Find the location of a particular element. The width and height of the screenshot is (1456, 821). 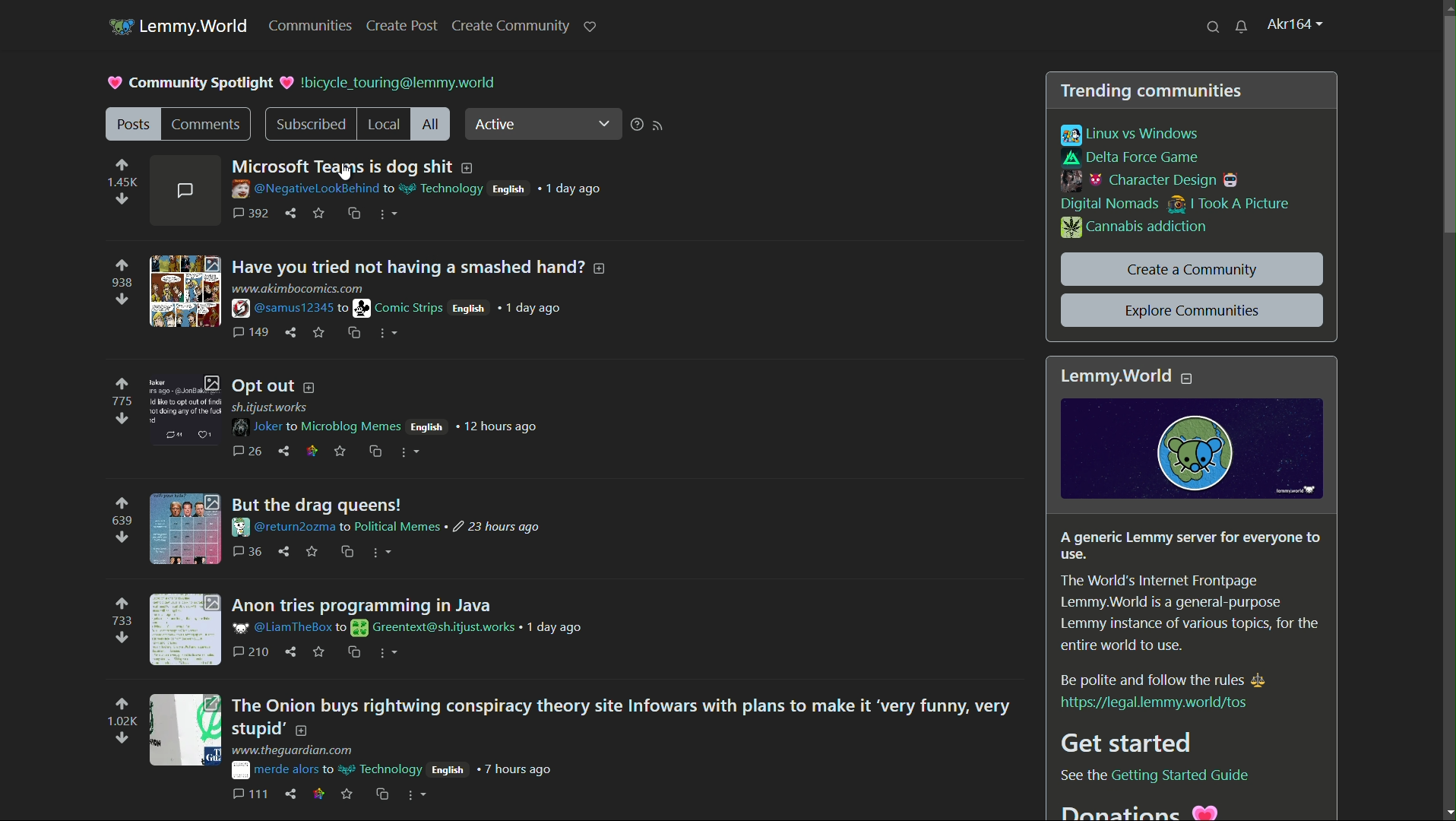

more is located at coordinates (390, 333).